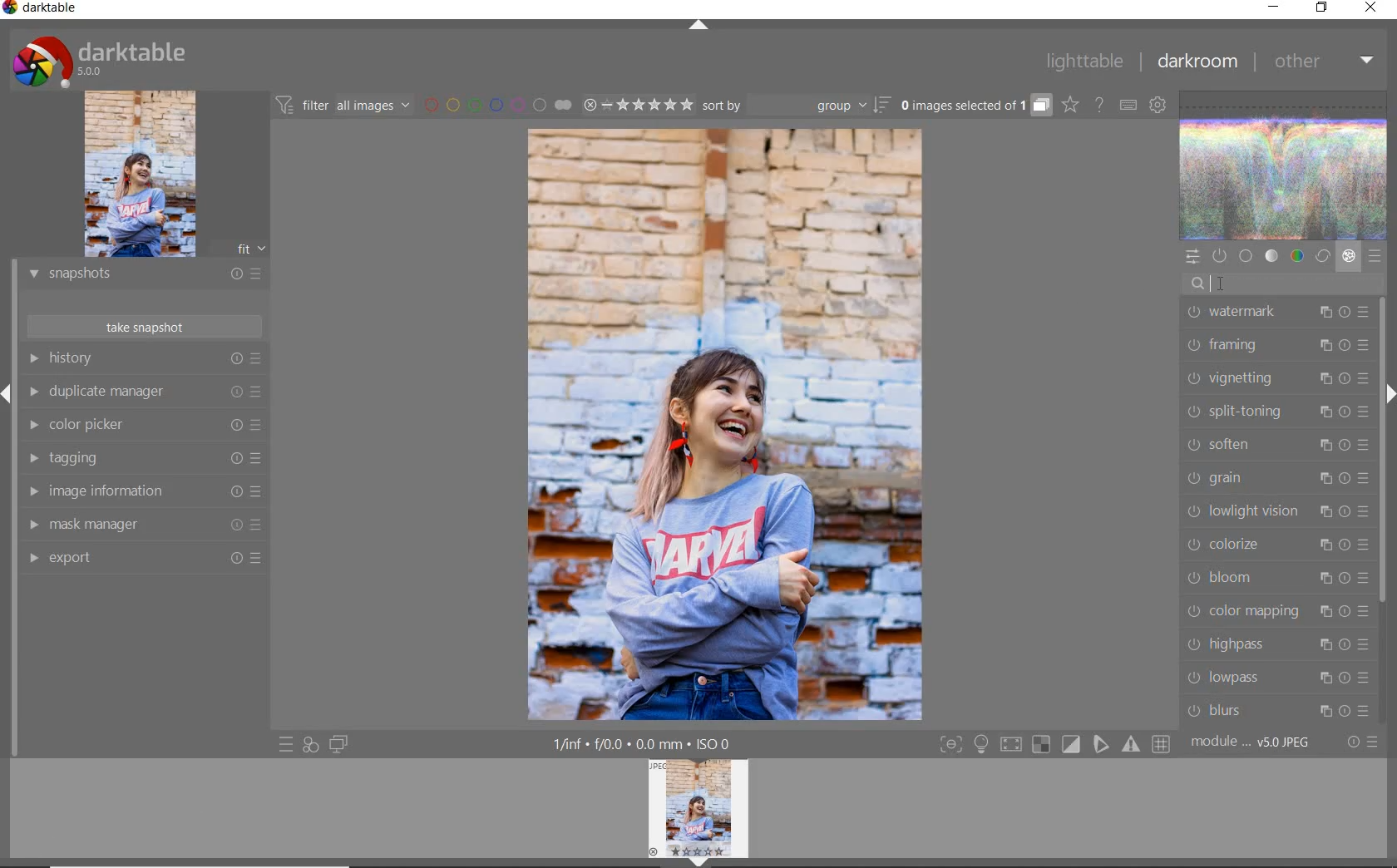 The width and height of the screenshot is (1397, 868). I want to click on duplicate manager, so click(146, 393).